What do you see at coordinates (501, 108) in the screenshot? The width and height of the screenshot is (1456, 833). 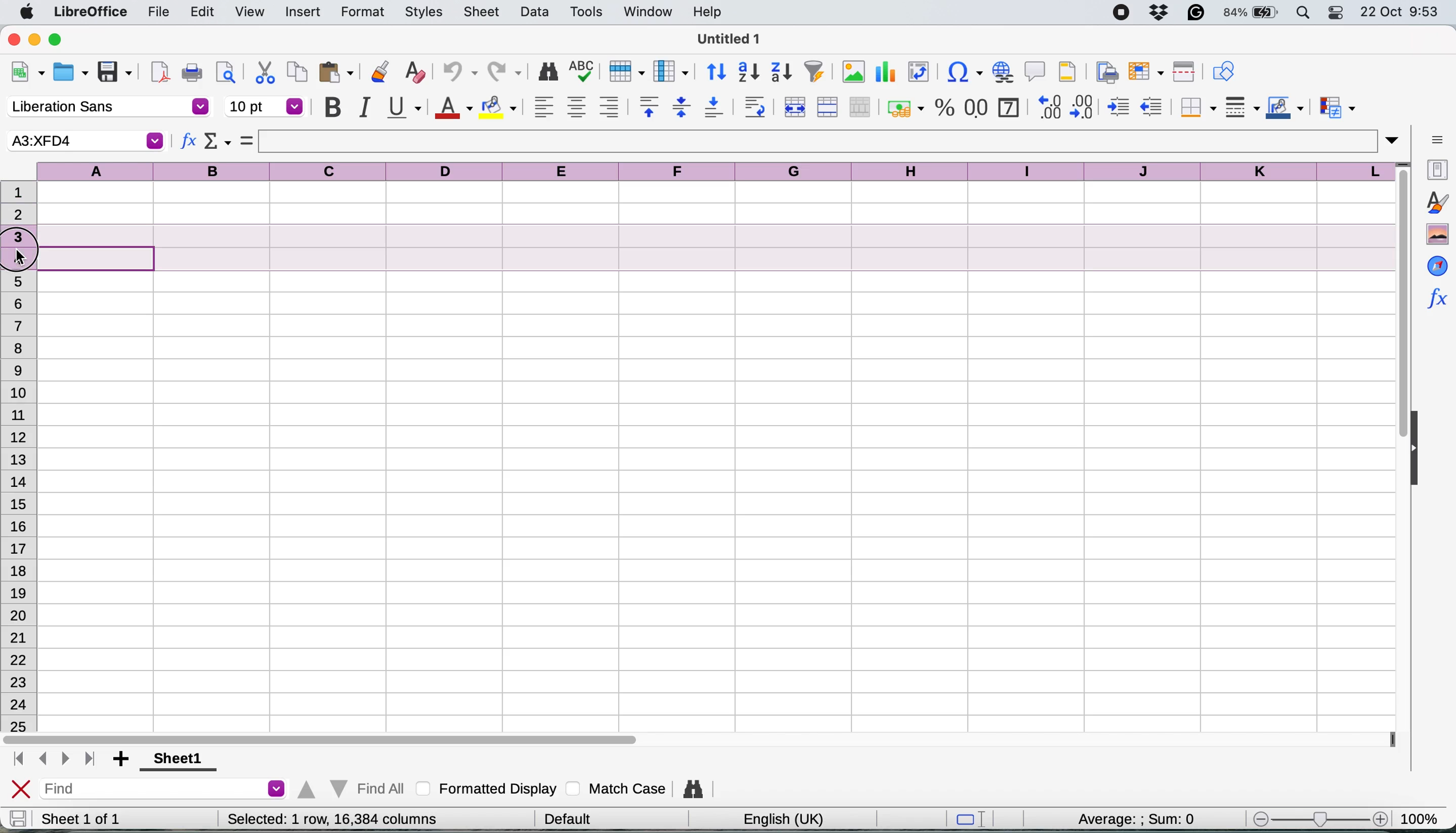 I see `fill colour` at bounding box center [501, 108].